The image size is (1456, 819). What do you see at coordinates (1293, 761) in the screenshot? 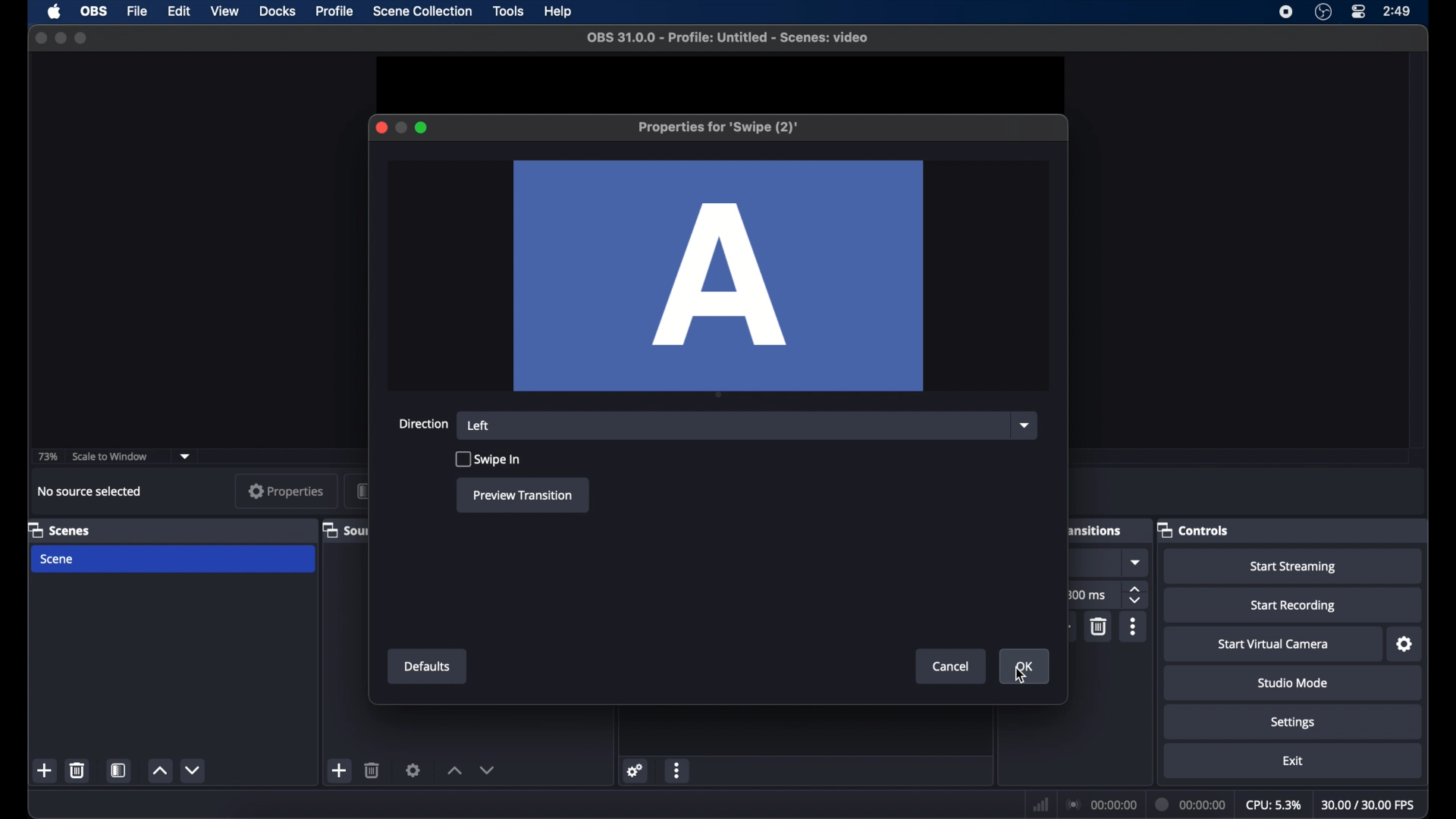
I see `exit` at bounding box center [1293, 761].